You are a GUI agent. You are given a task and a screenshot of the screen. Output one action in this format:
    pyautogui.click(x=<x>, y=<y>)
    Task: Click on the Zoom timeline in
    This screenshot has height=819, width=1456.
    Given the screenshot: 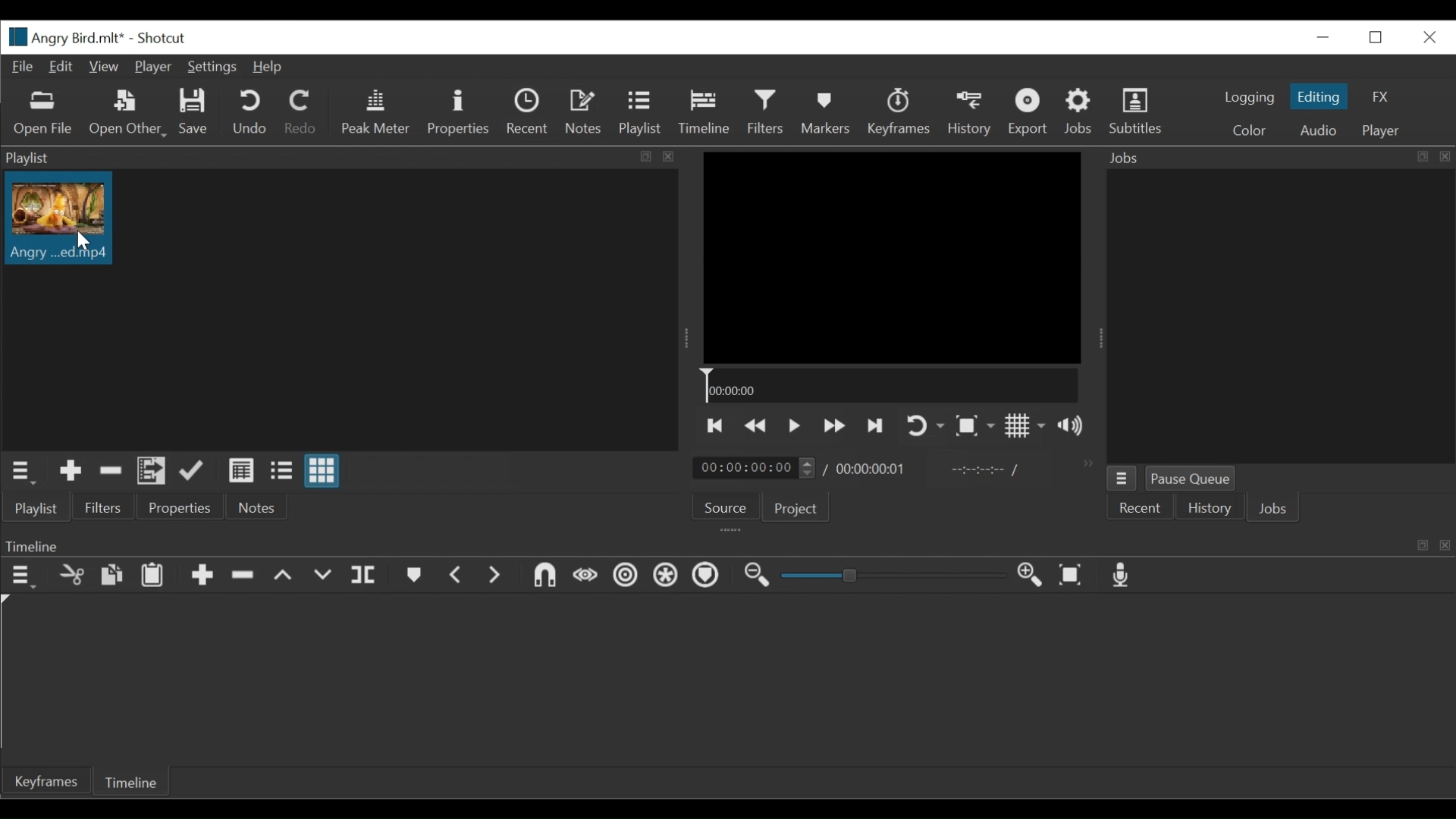 What is the action you would take?
    pyautogui.click(x=1026, y=573)
    